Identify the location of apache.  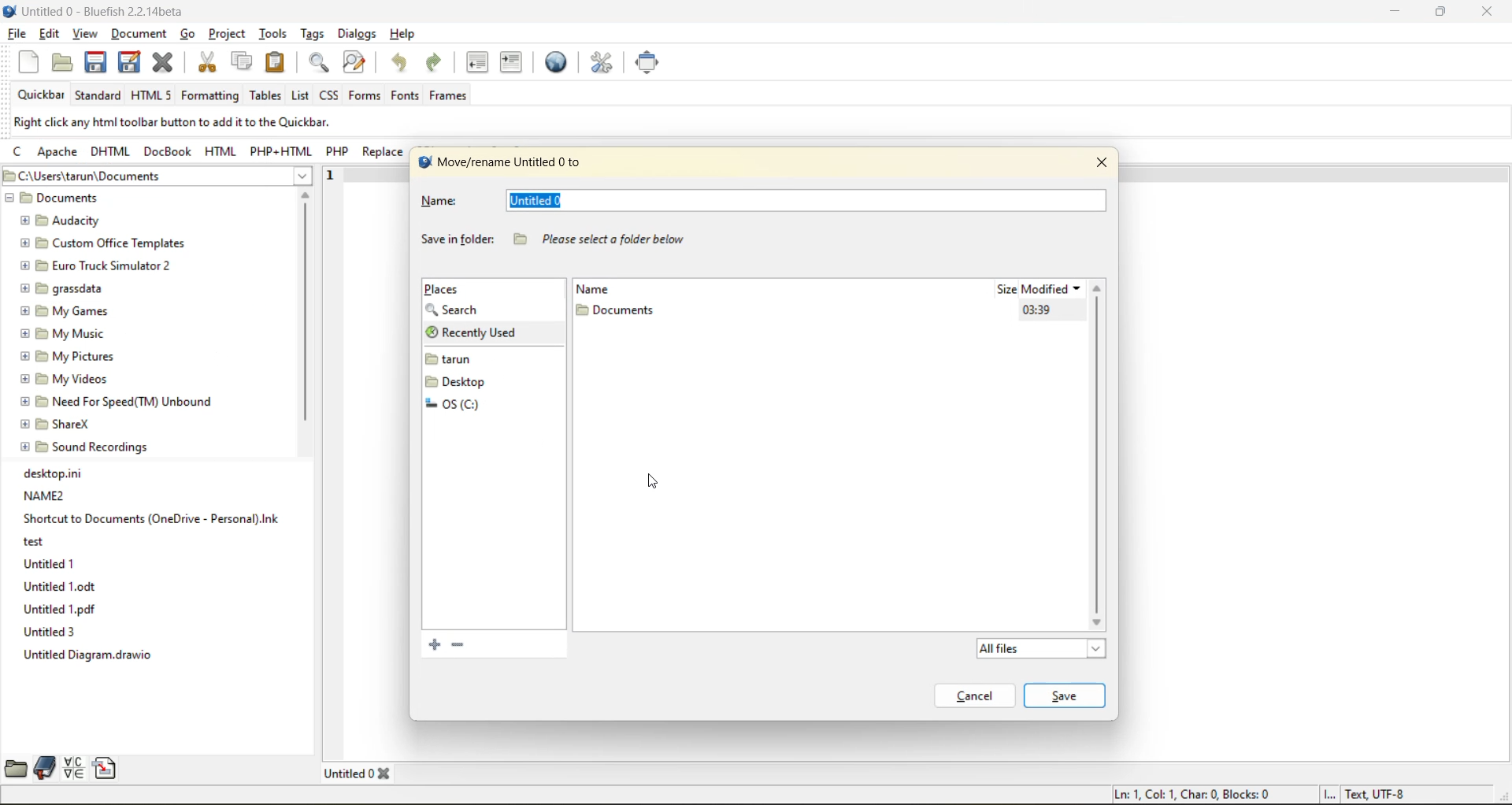
(61, 153).